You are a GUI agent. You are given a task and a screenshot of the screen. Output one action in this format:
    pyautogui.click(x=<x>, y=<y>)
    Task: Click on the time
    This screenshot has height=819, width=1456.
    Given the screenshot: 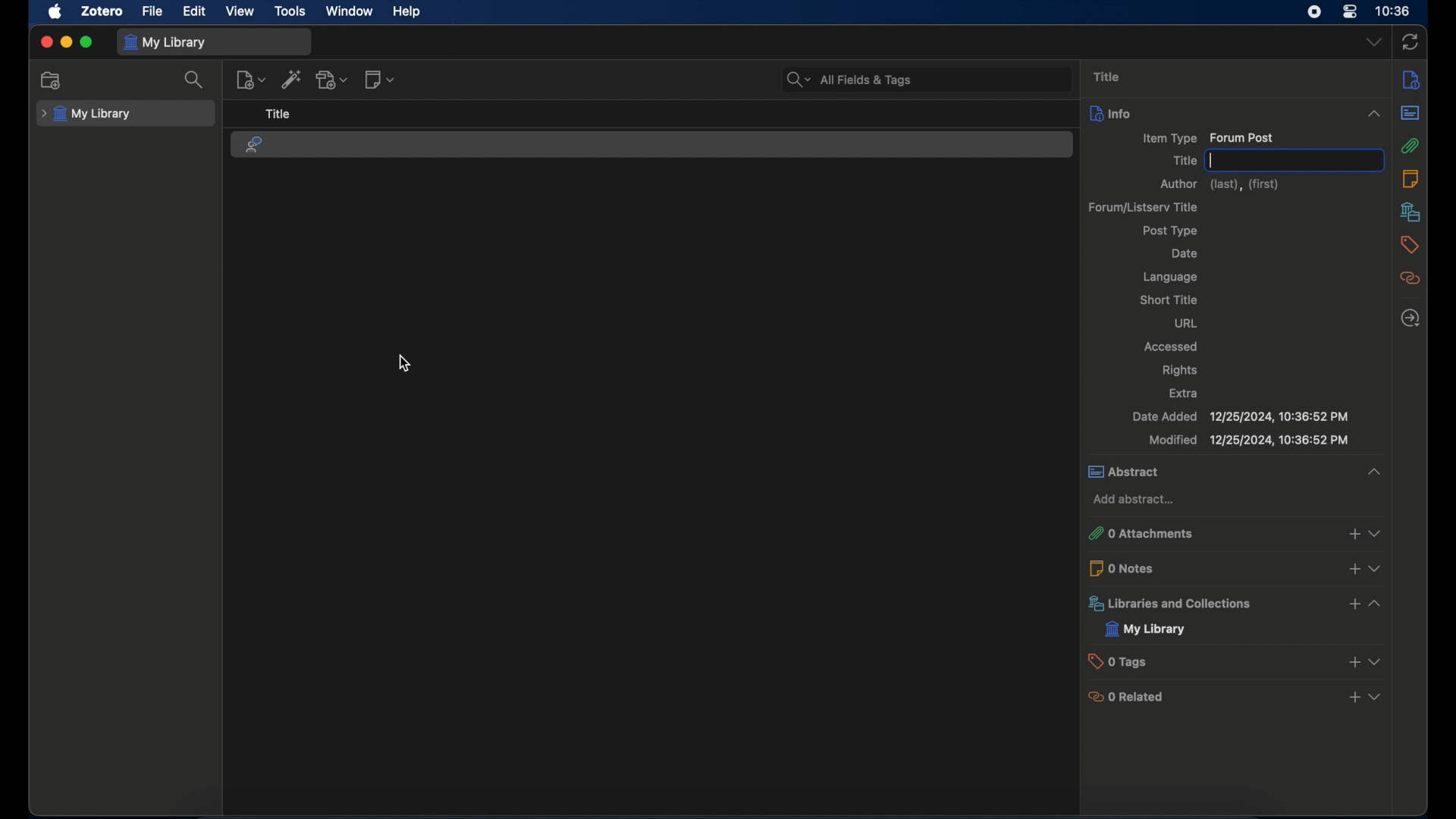 What is the action you would take?
    pyautogui.click(x=1392, y=10)
    